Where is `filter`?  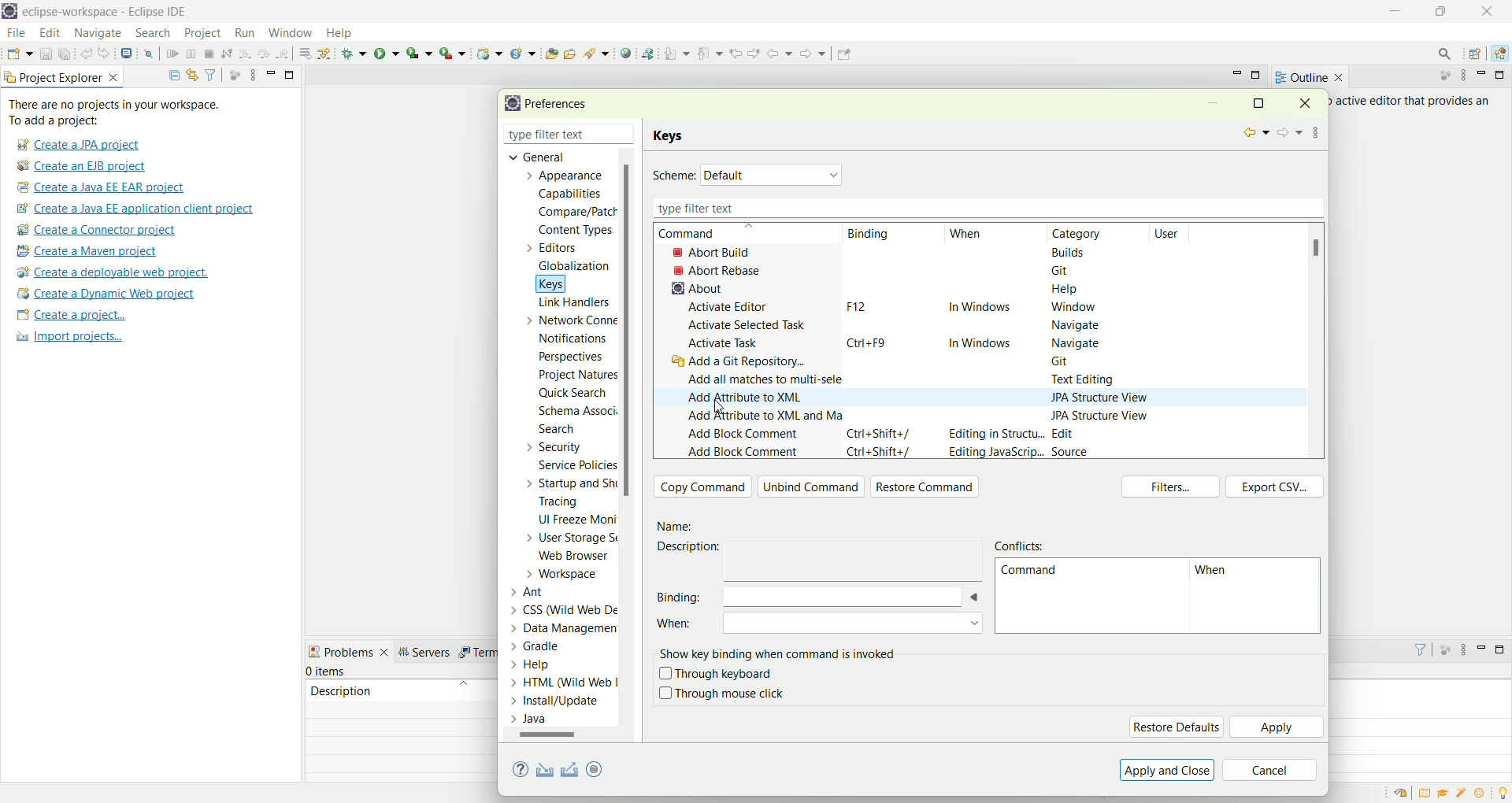
filter is located at coordinates (210, 74).